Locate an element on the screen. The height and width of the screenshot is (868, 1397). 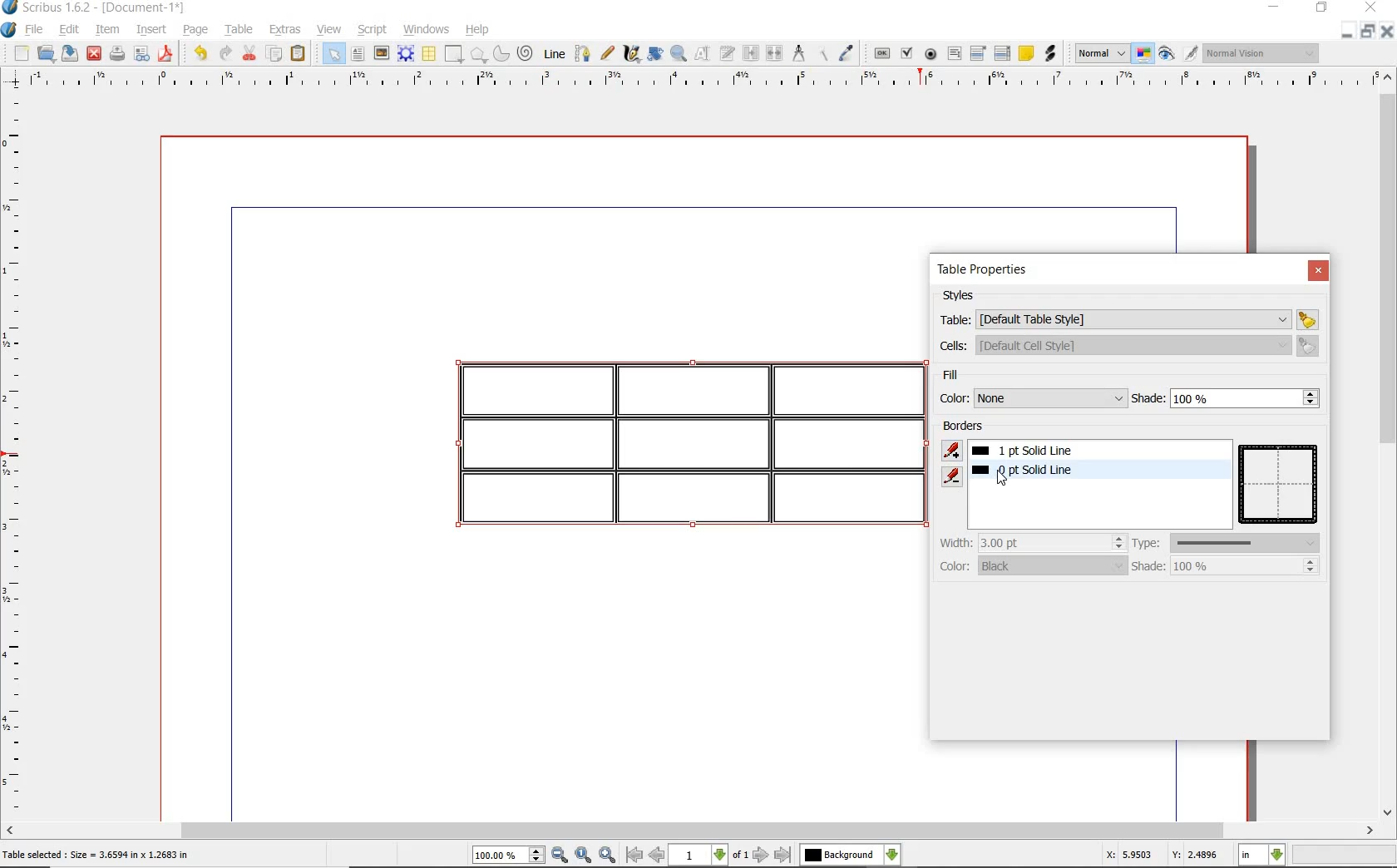
line is located at coordinates (554, 53).